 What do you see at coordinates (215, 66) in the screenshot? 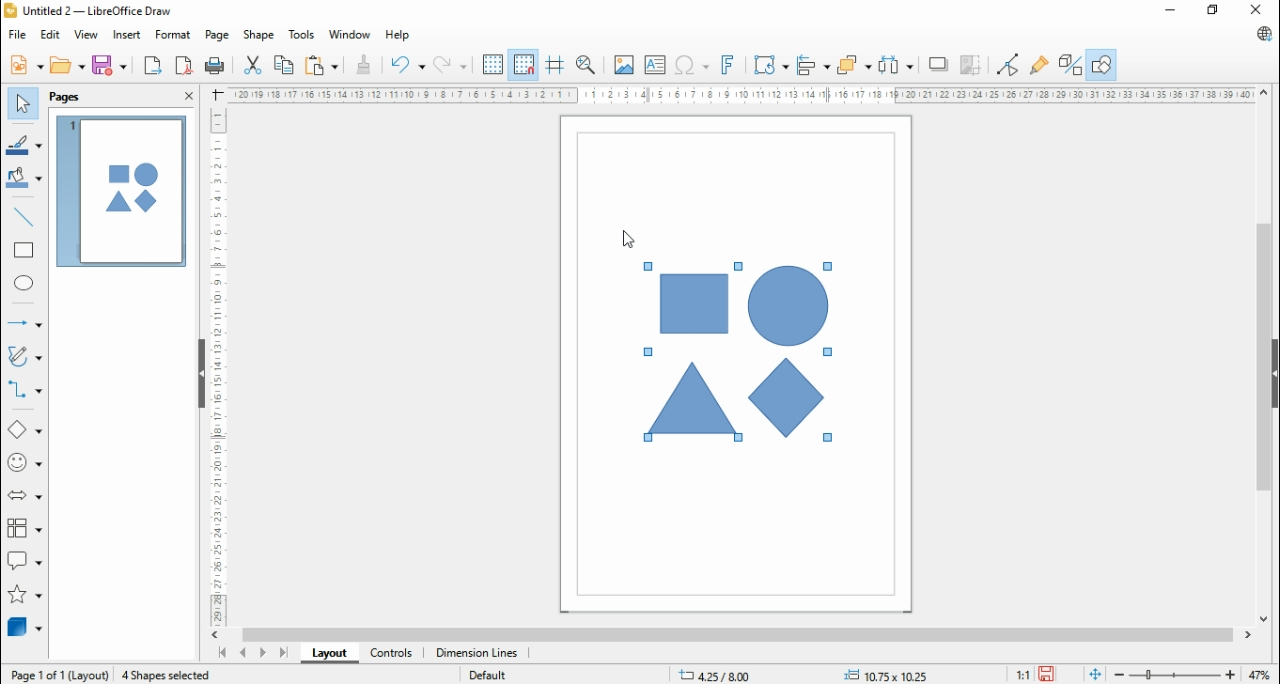
I see `print` at bounding box center [215, 66].